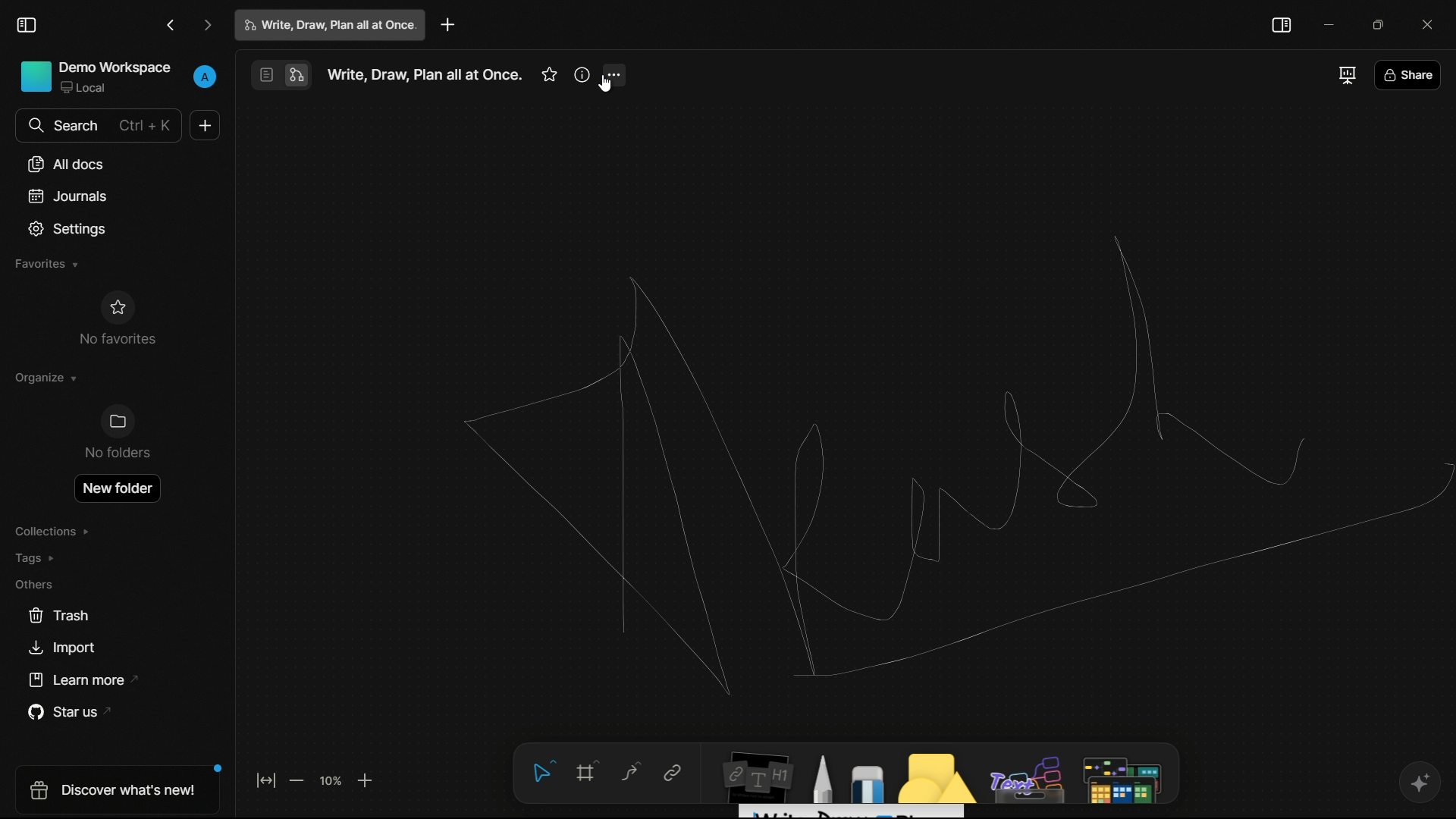 Image resolution: width=1456 pixels, height=819 pixels. What do you see at coordinates (846, 425) in the screenshot?
I see `workspace` at bounding box center [846, 425].